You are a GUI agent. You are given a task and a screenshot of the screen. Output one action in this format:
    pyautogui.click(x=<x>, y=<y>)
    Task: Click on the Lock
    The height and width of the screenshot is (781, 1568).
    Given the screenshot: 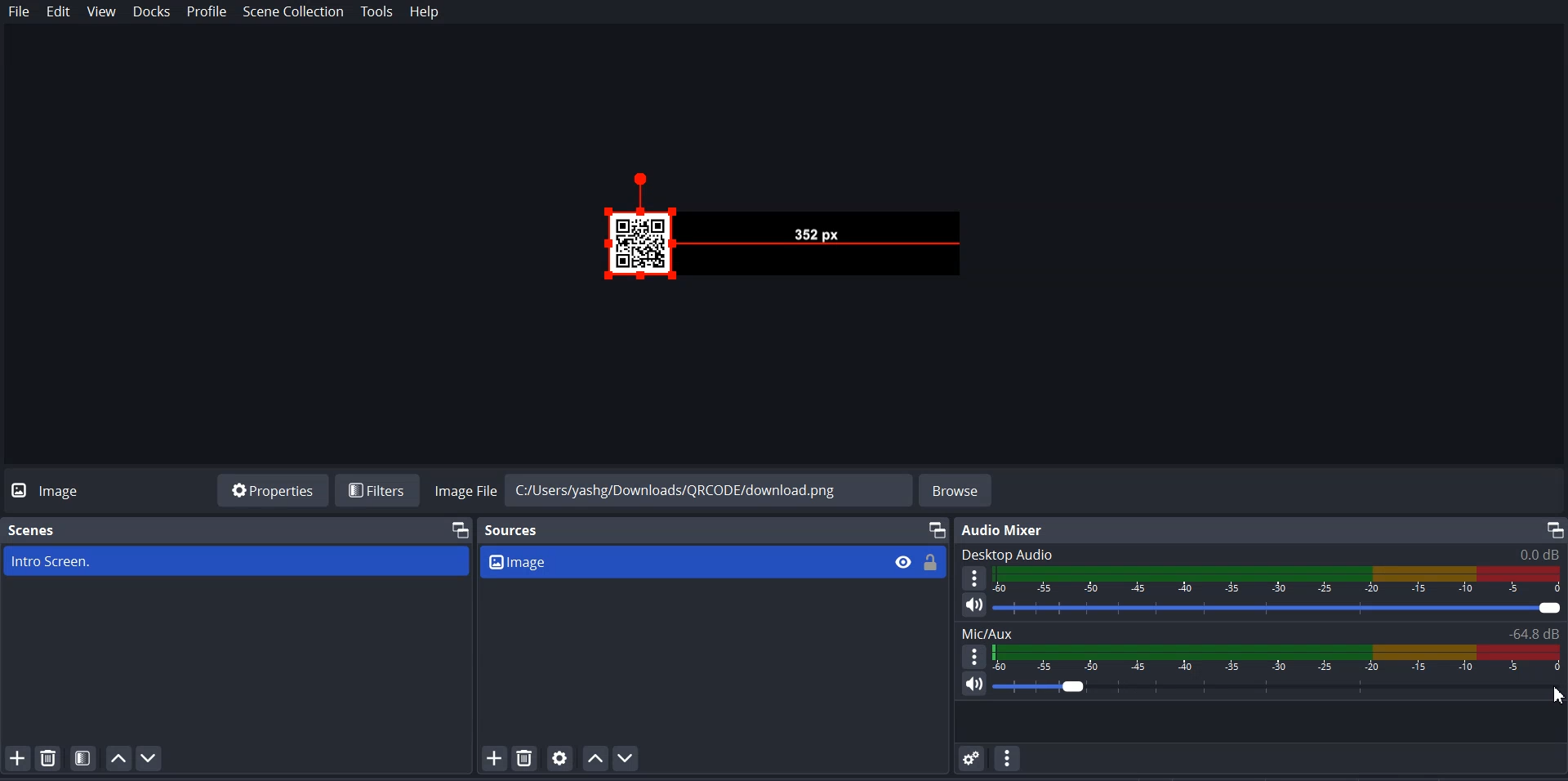 What is the action you would take?
    pyautogui.click(x=930, y=562)
    